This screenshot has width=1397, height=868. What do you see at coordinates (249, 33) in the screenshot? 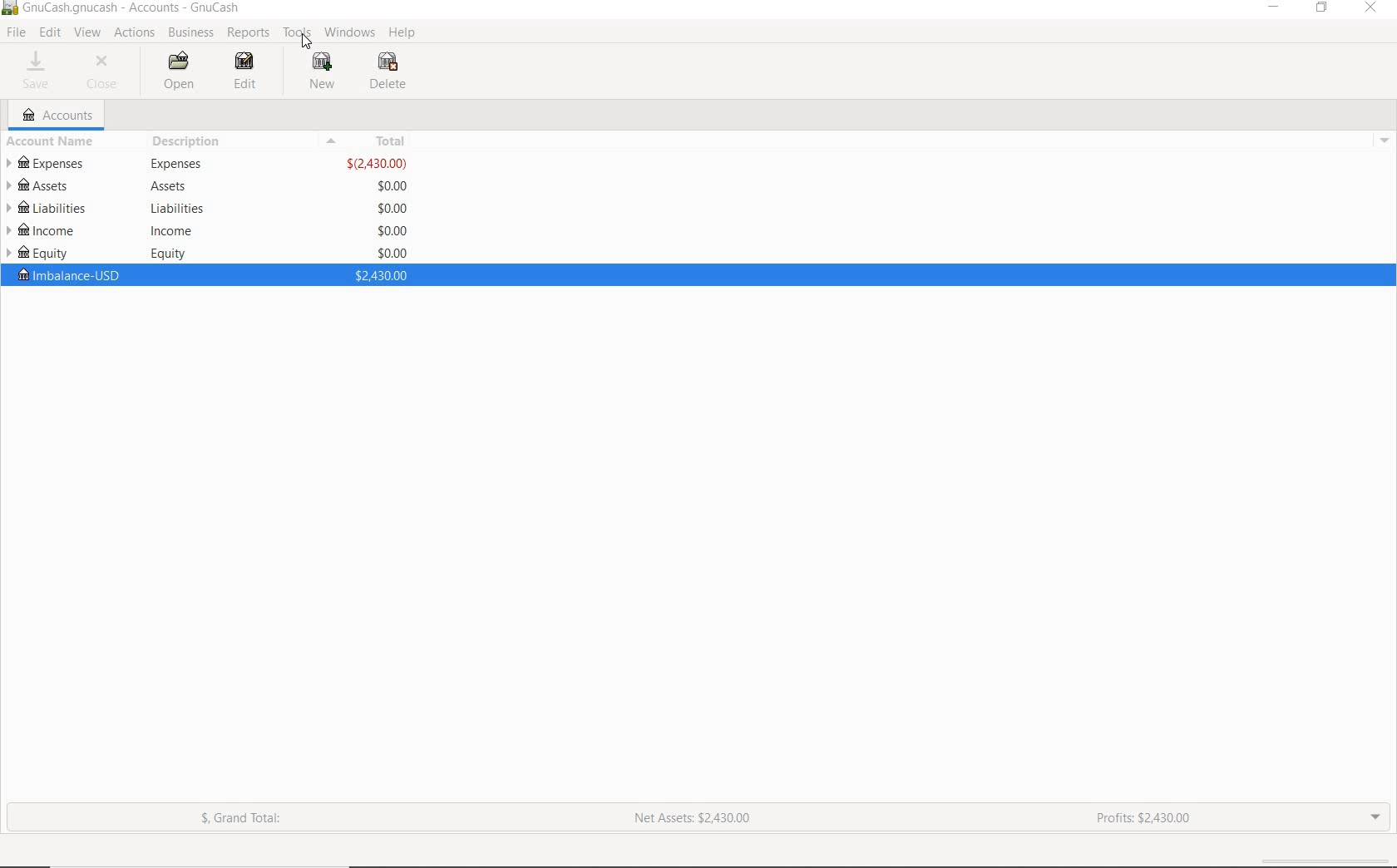
I see `REPORTS` at bounding box center [249, 33].